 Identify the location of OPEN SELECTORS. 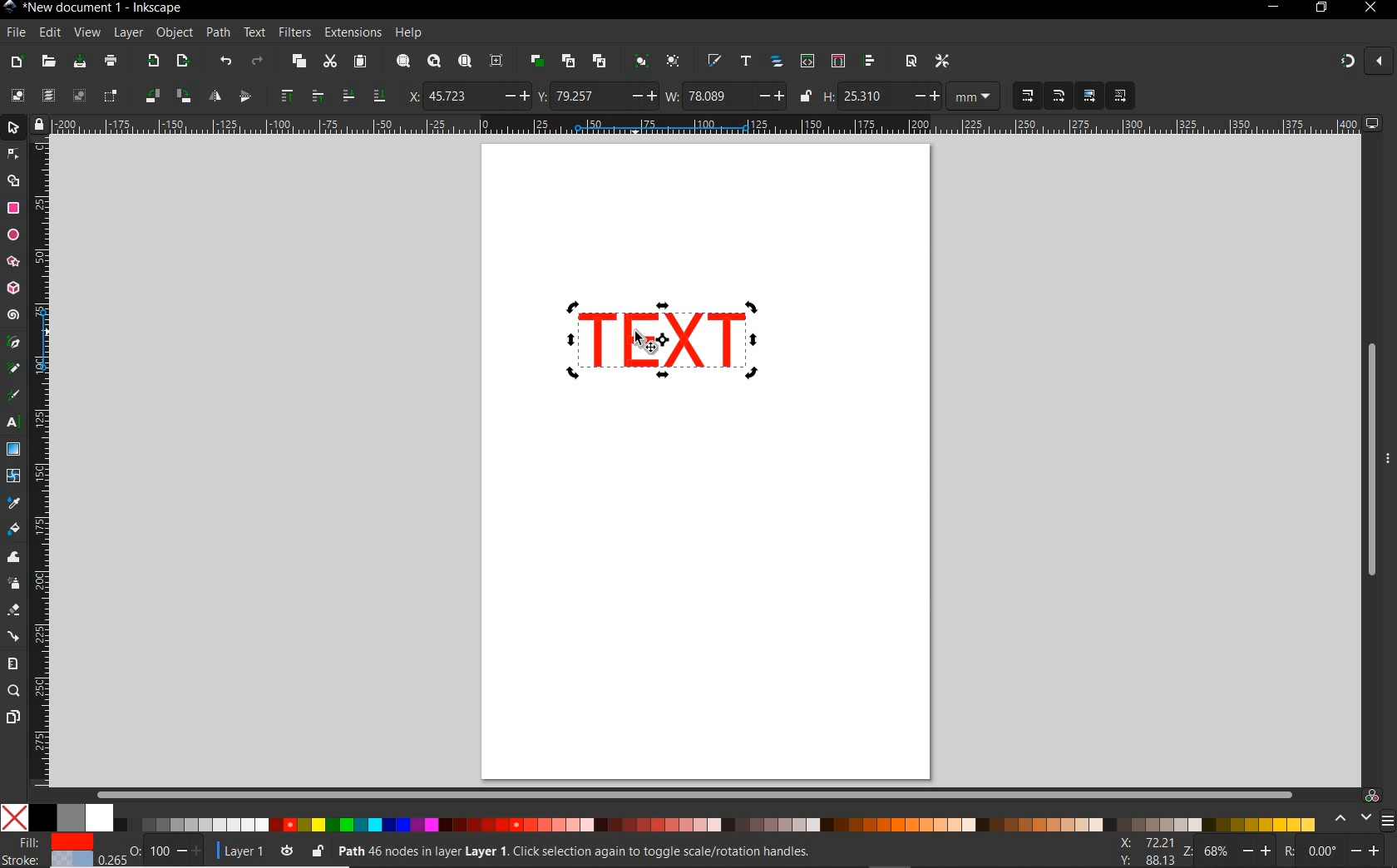
(837, 61).